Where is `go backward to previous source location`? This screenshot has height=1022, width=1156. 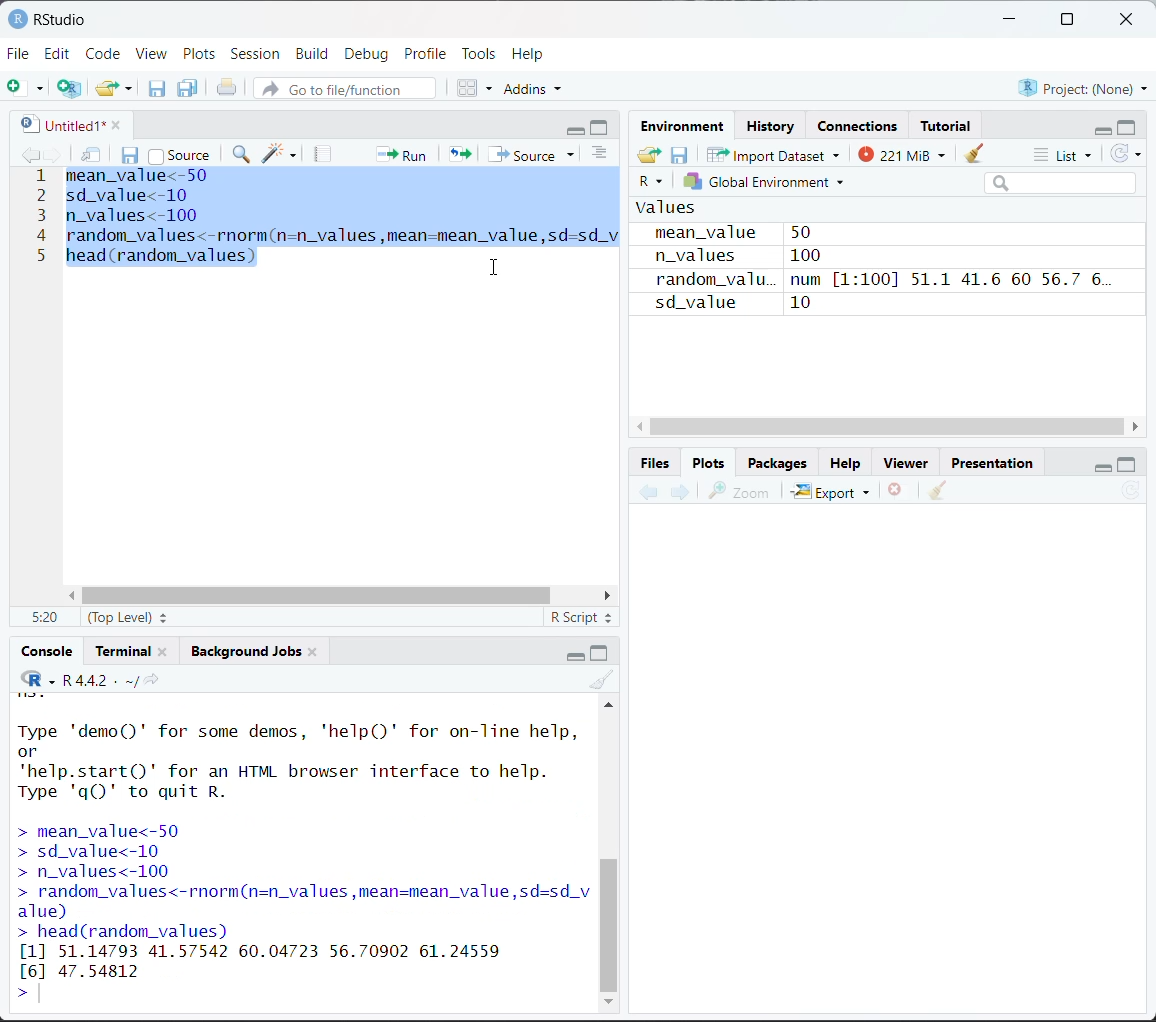 go backward to previous source location is located at coordinates (30, 156).